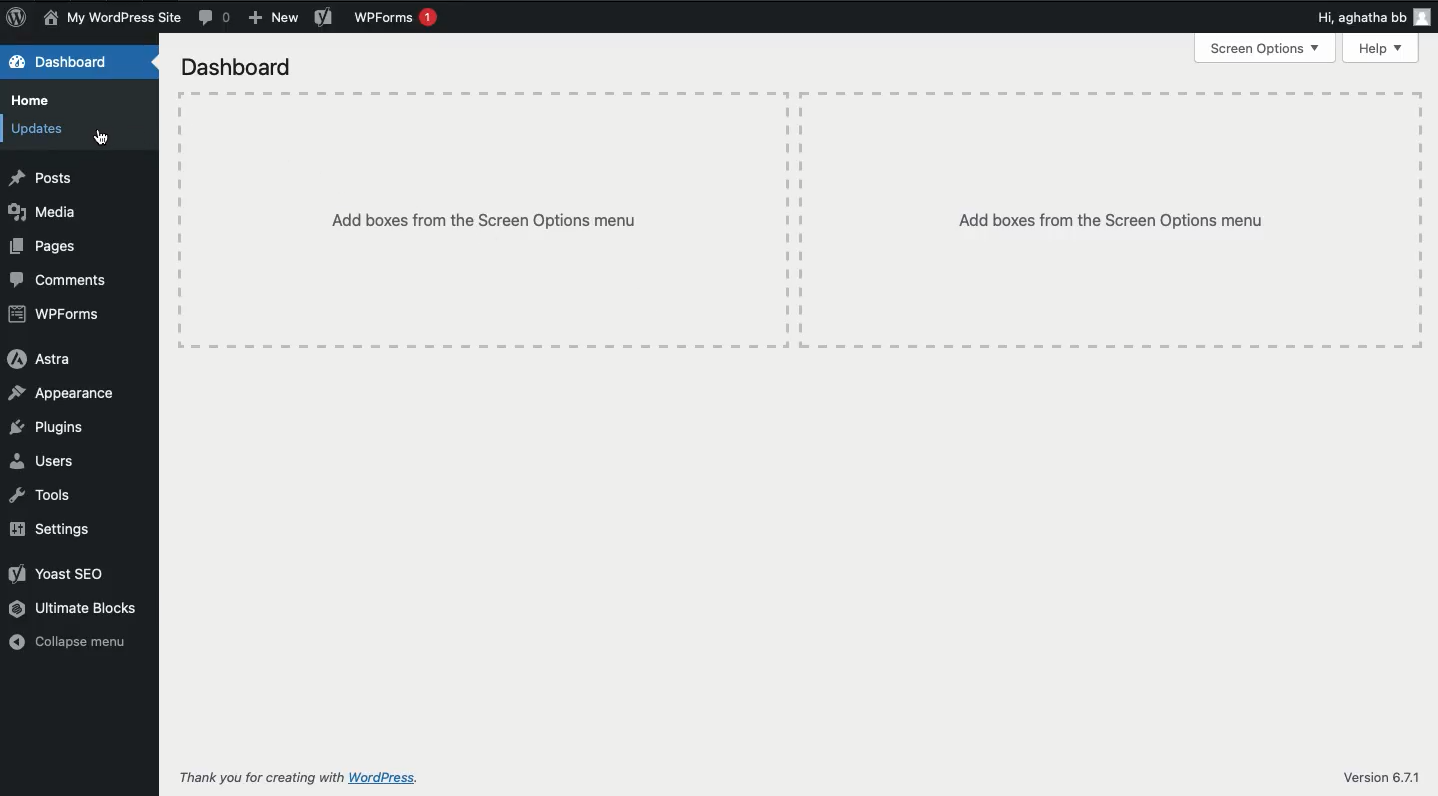 This screenshot has height=796, width=1438. I want to click on Collapse menu, so click(71, 643).